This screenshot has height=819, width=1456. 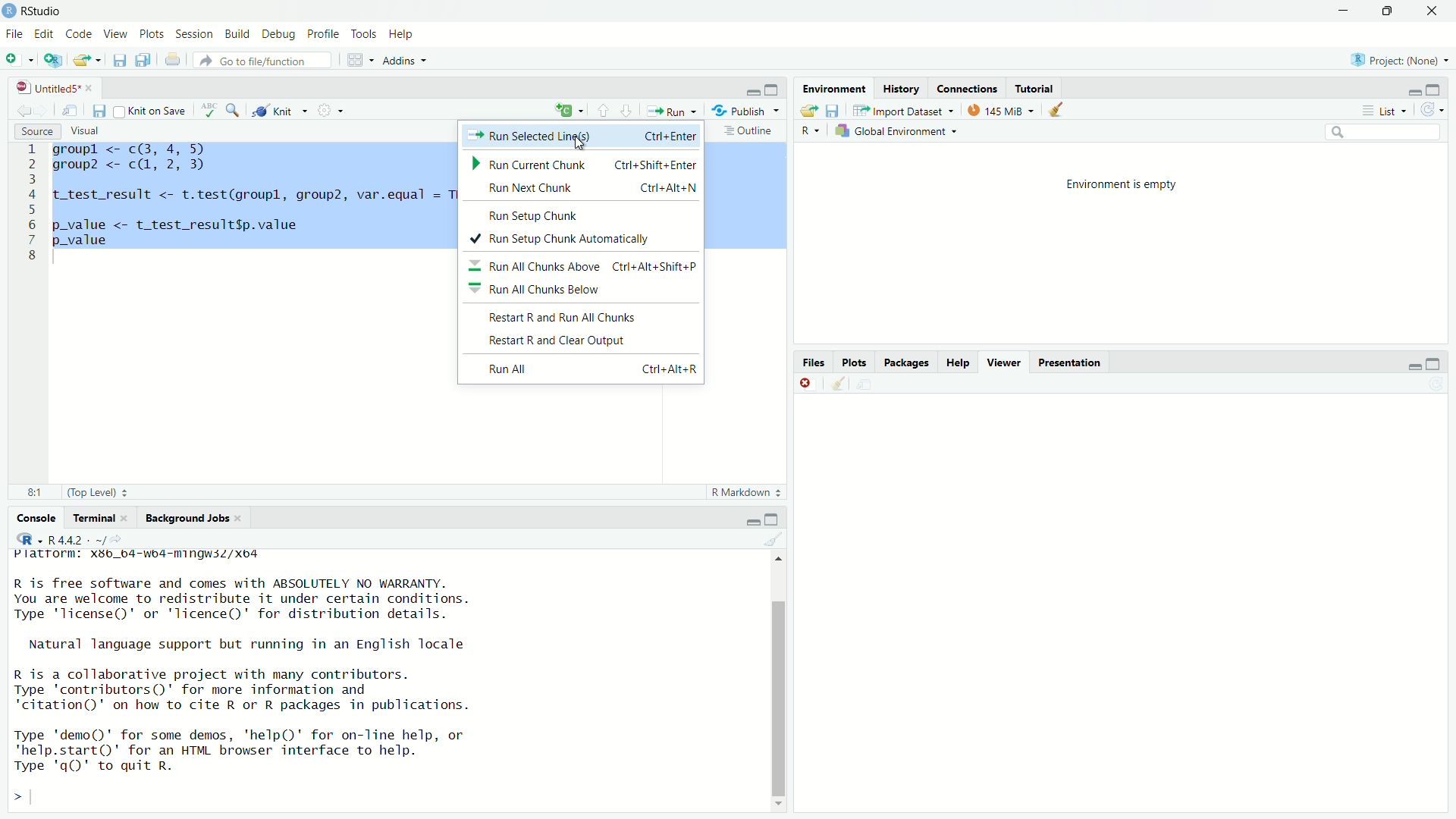 What do you see at coordinates (44, 9) in the screenshot?
I see `Rstudio` at bounding box center [44, 9].